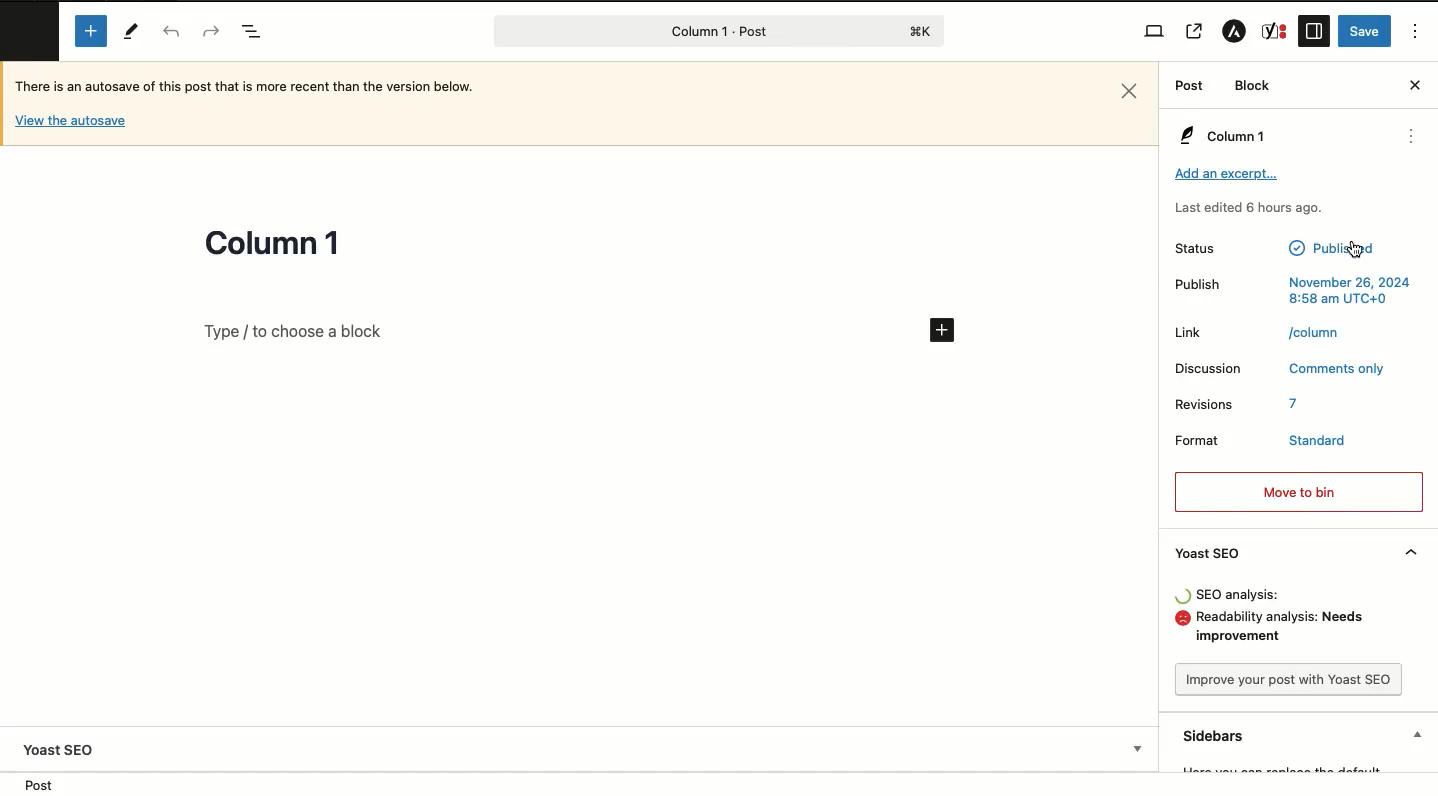 Image resolution: width=1438 pixels, height=796 pixels. Describe the element at coordinates (172, 32) in the screenshot. I see `Undo` at that location.